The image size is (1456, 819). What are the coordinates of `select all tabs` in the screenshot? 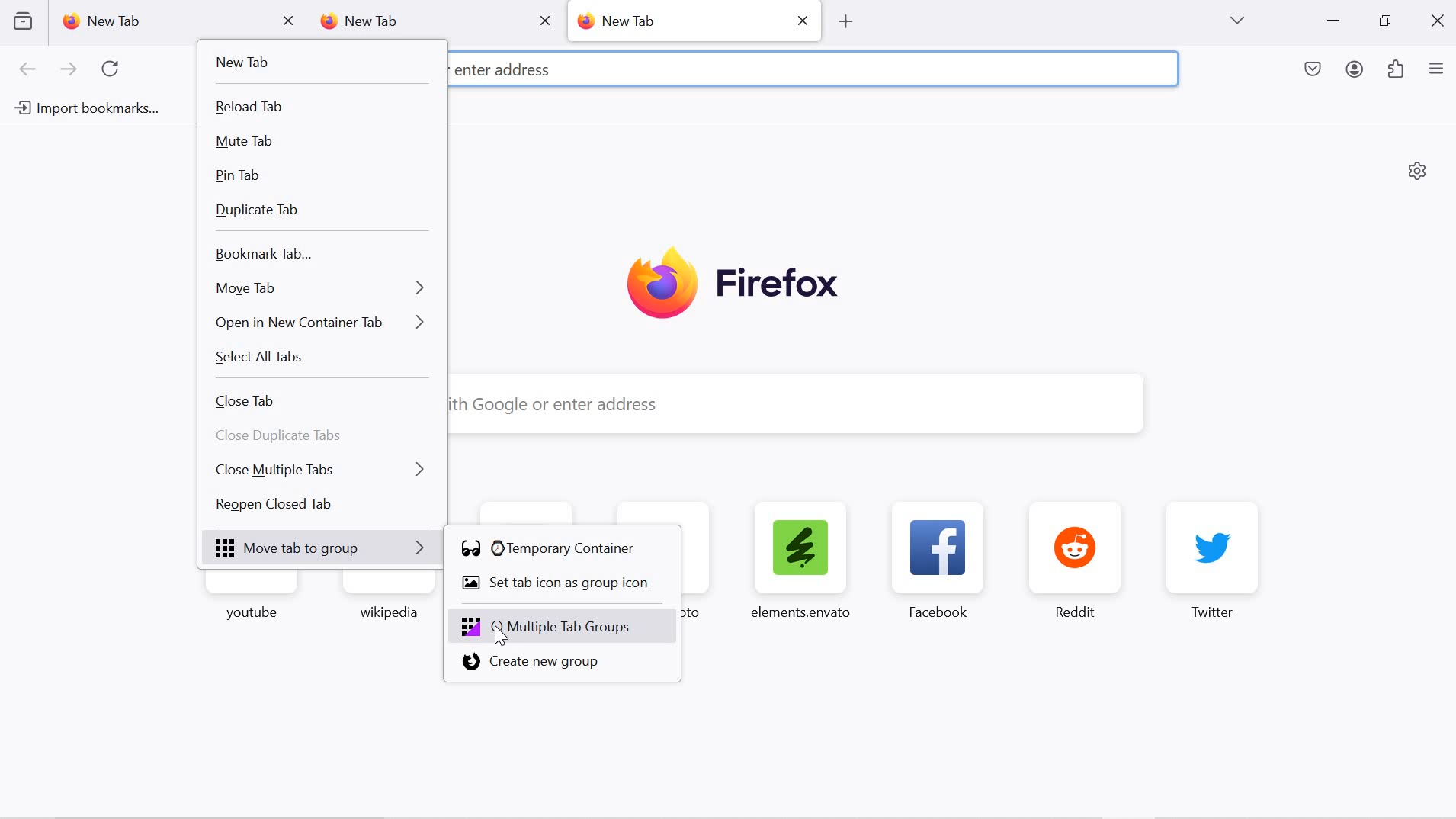 It's located at (321, 361).